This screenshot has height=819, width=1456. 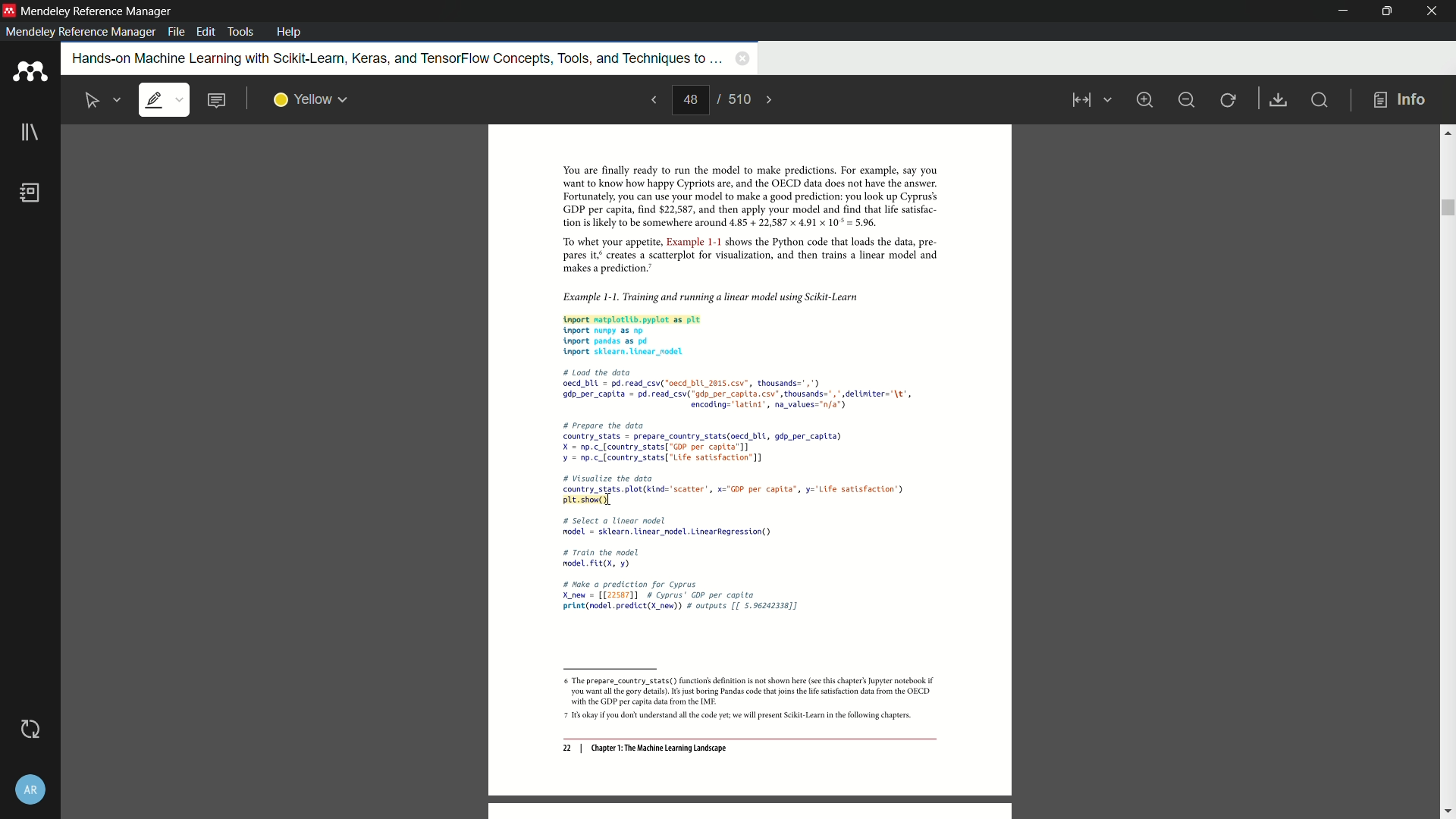 I want to click on next page, so click(x=770, y=100).